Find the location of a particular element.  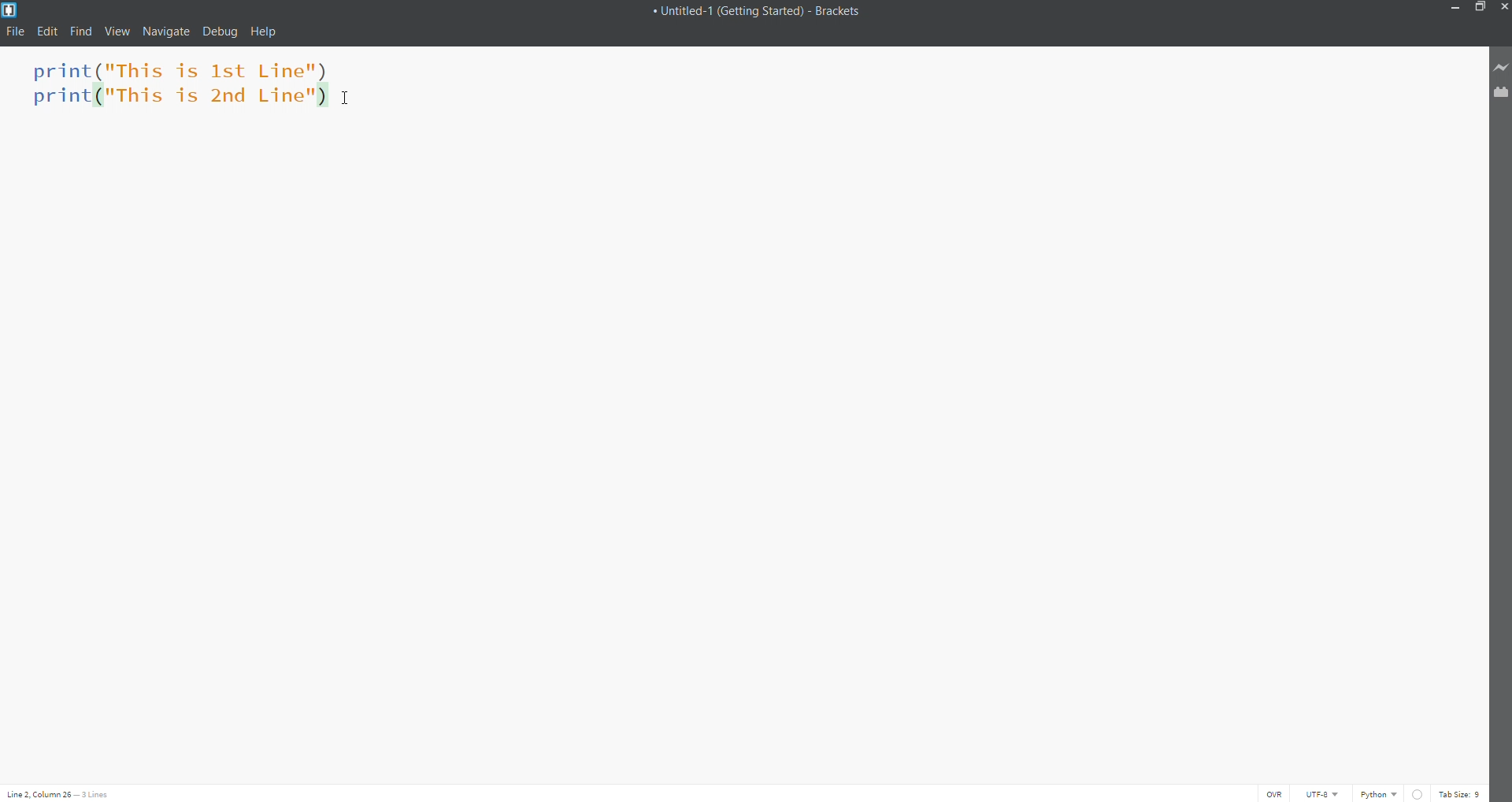

Navigate is located at coordinates (169, 32).